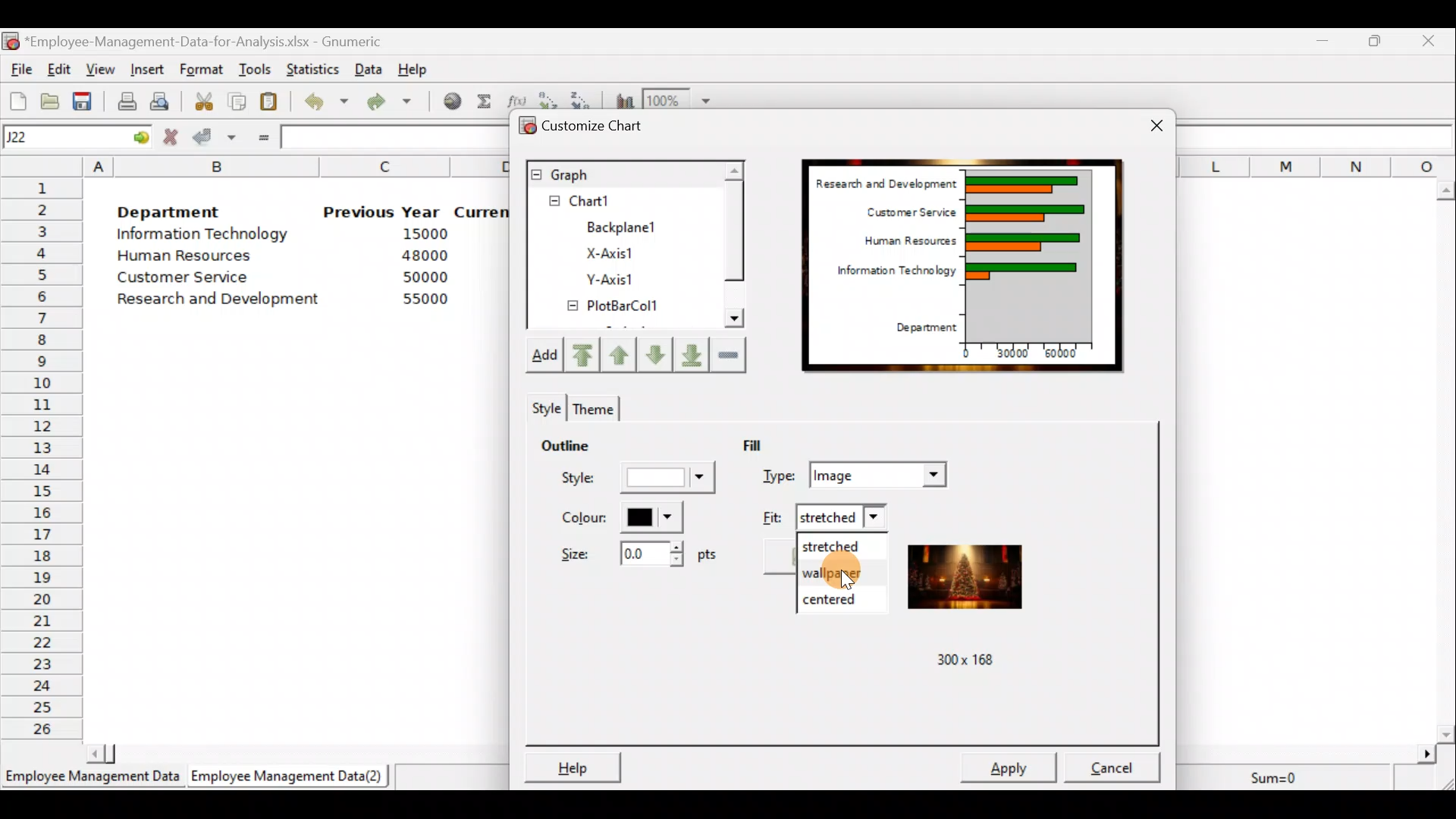 The height and width of the screenshot is (819, 1456). What do you see at coordinates (413, 66) in the screenshot?
I see `Help` at bounding box center [413, 66].